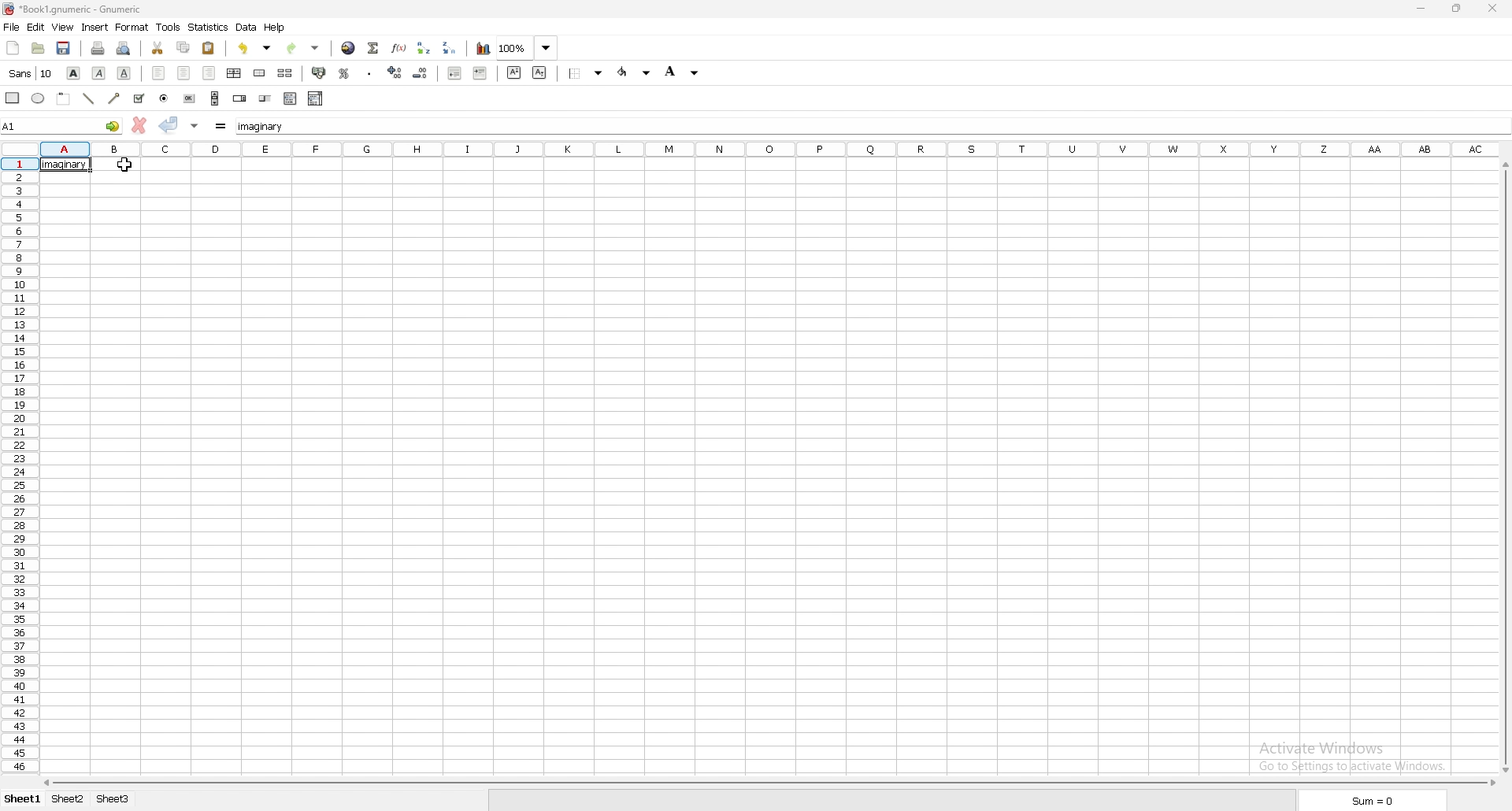  What do you see at coordinates (32, 73) in the screenshot?
I see `font` at bounding box center [32, 73].